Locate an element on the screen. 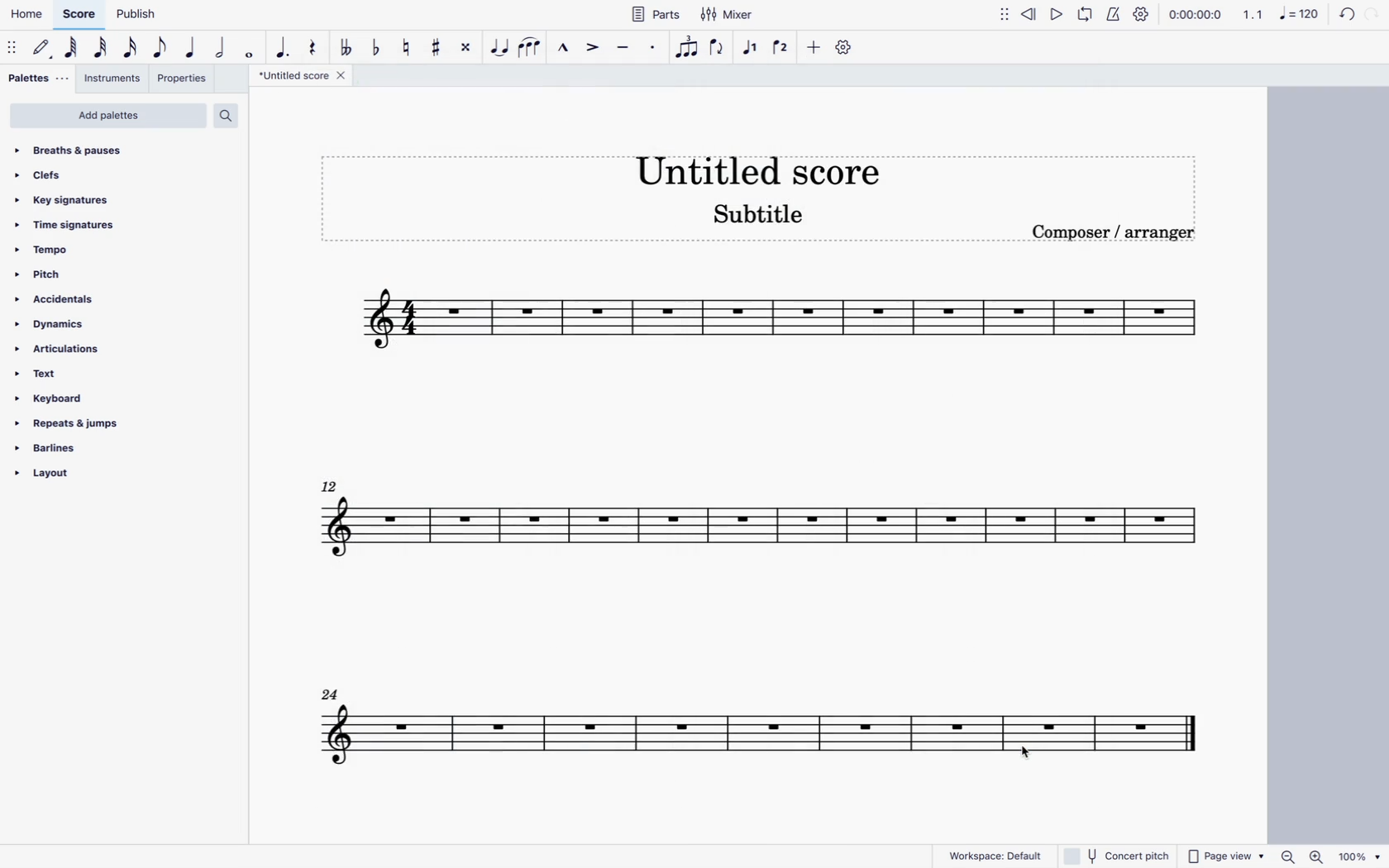  Workspace: Default is located at coordinates (995, 854).